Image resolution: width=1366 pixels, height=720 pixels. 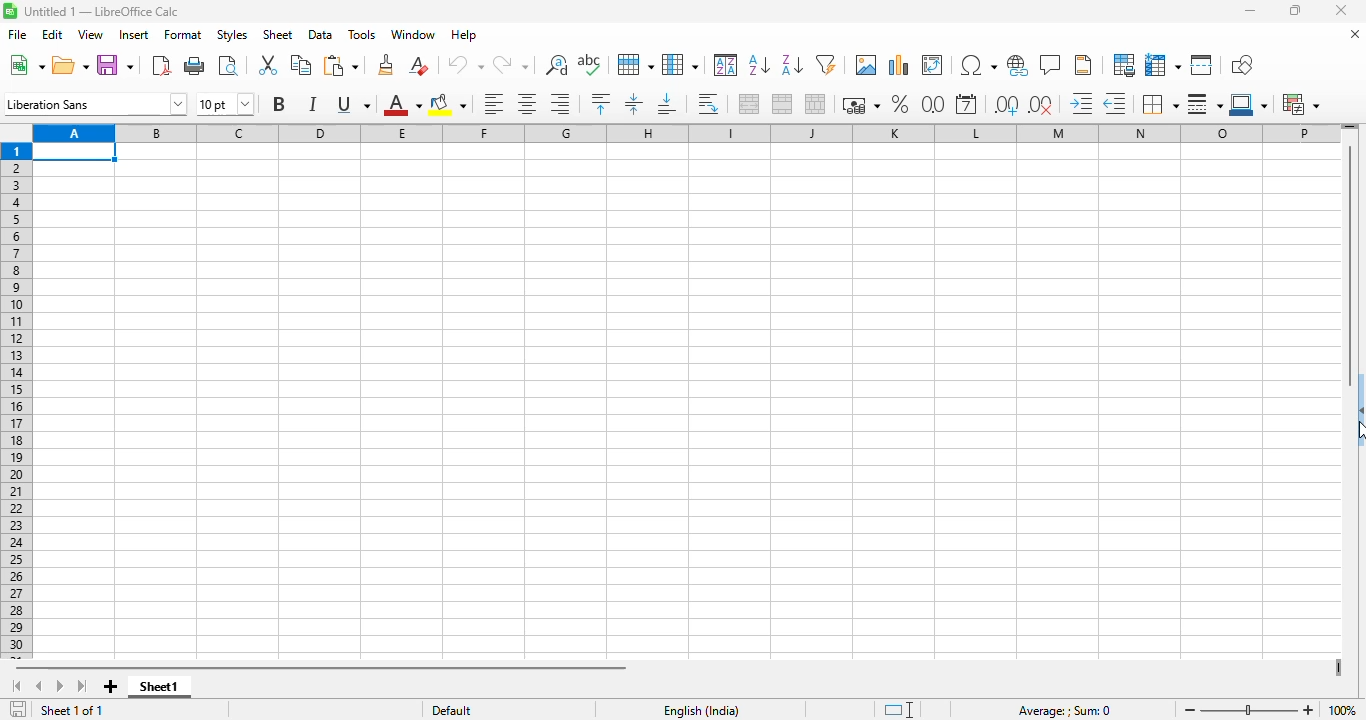 I want to click on sort, so click(x=727, y=65).